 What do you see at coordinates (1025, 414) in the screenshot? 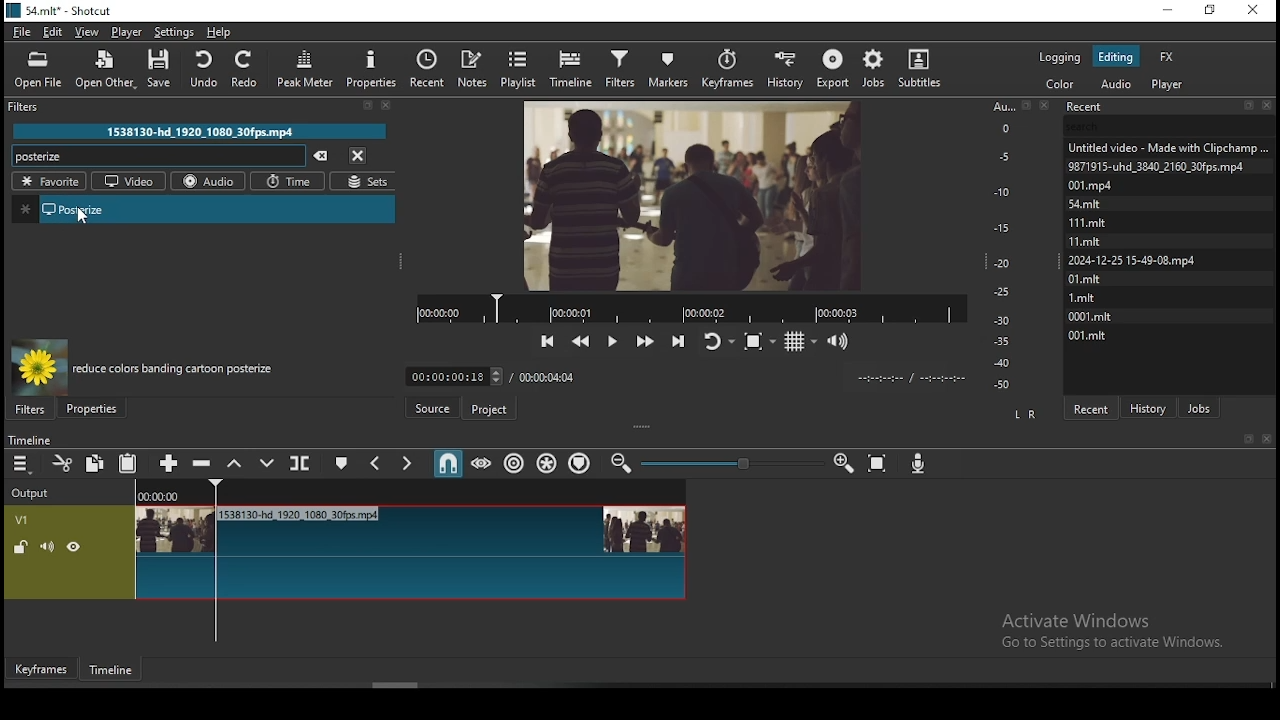
I see `L R` at bounding box center [1025, 414].